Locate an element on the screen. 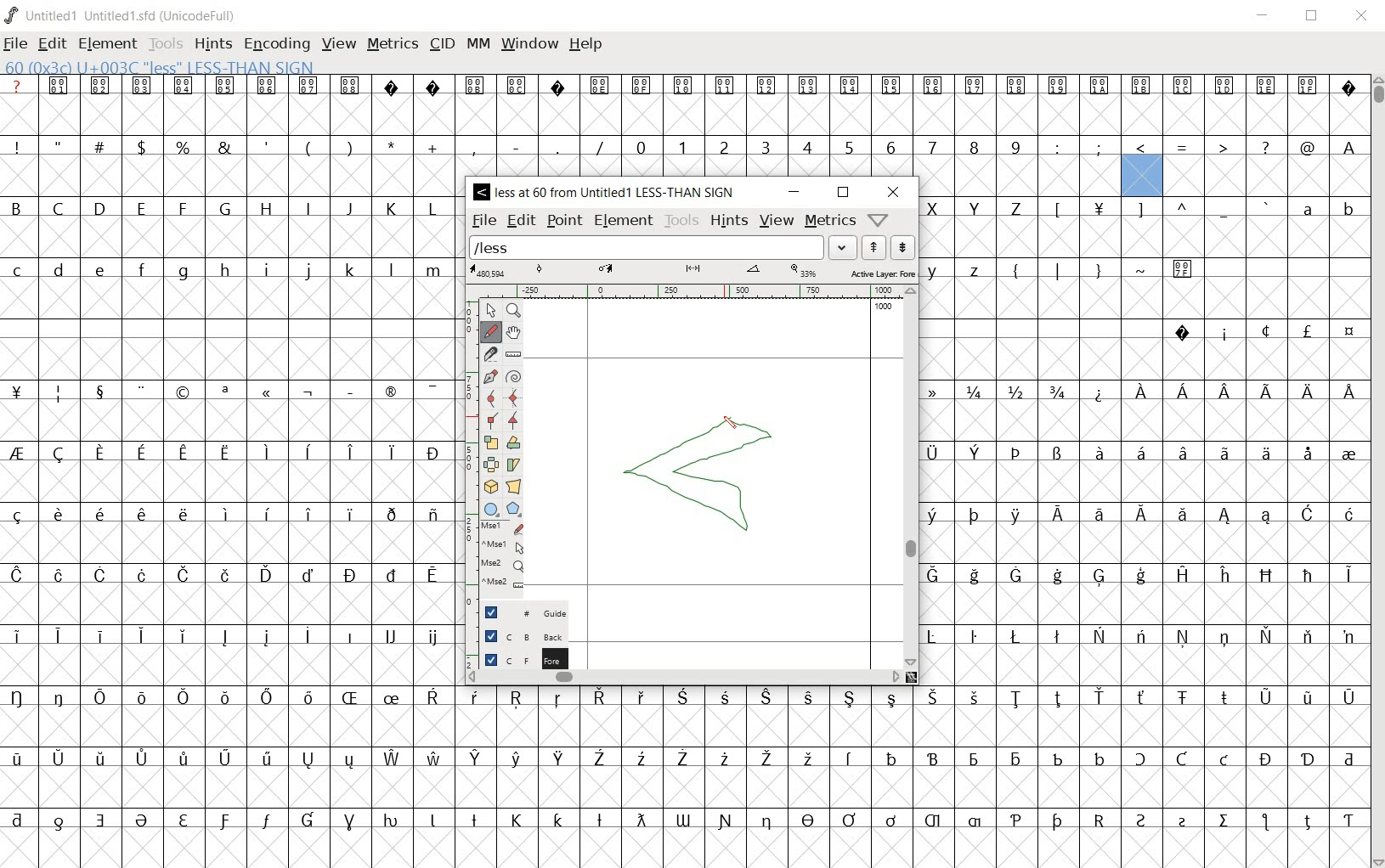 The width and height of the screenshot is (1385, 868). selected cell is located at coordinates (1141, 178).